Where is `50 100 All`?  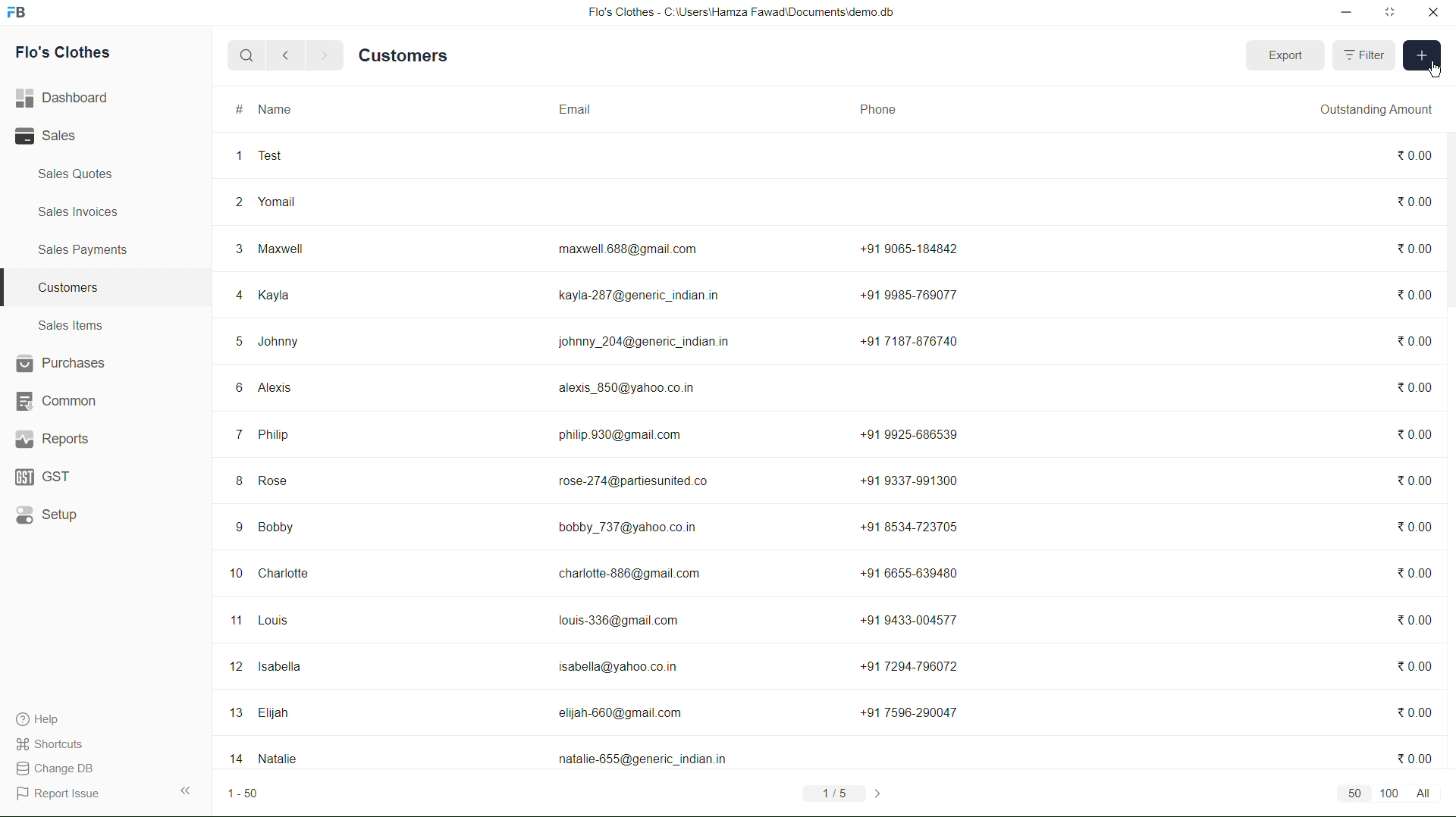
50 100 All is located at coordinates (1386, 796).